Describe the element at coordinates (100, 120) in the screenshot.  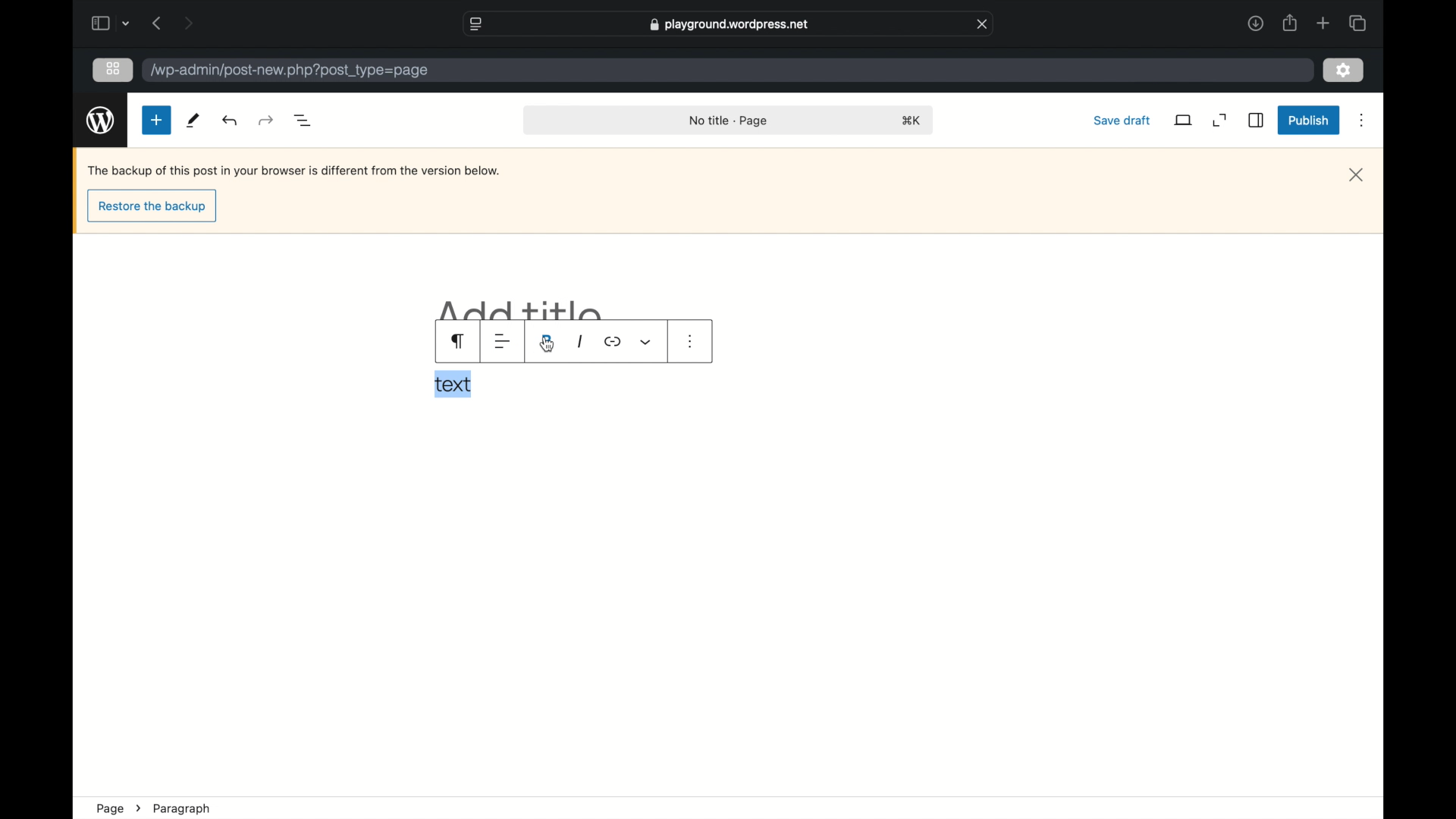
I see `wordpress` at that location.